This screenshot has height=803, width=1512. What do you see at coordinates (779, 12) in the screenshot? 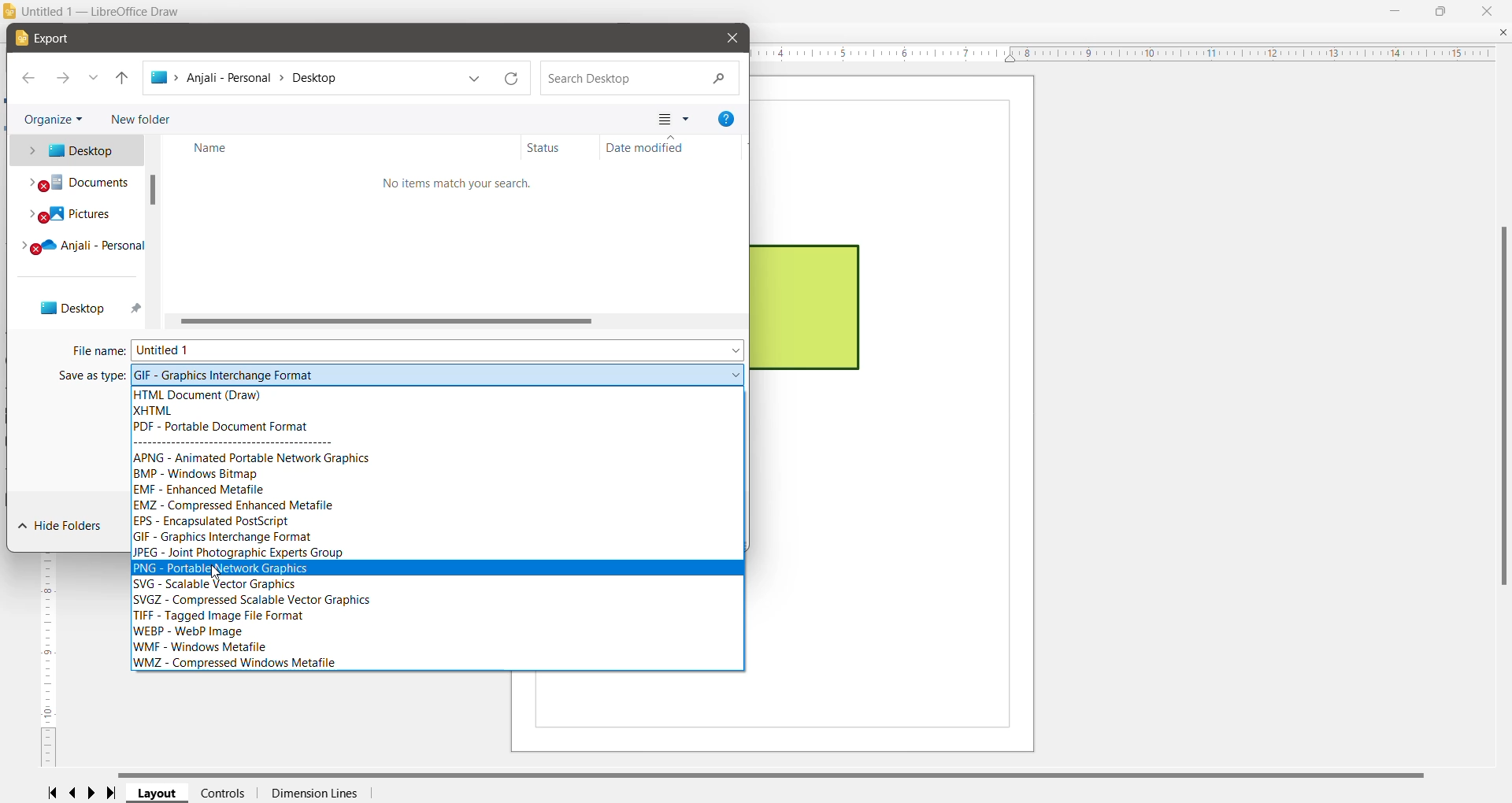
I see `Title bar color changed on Click` at bounding box center [779, 12].